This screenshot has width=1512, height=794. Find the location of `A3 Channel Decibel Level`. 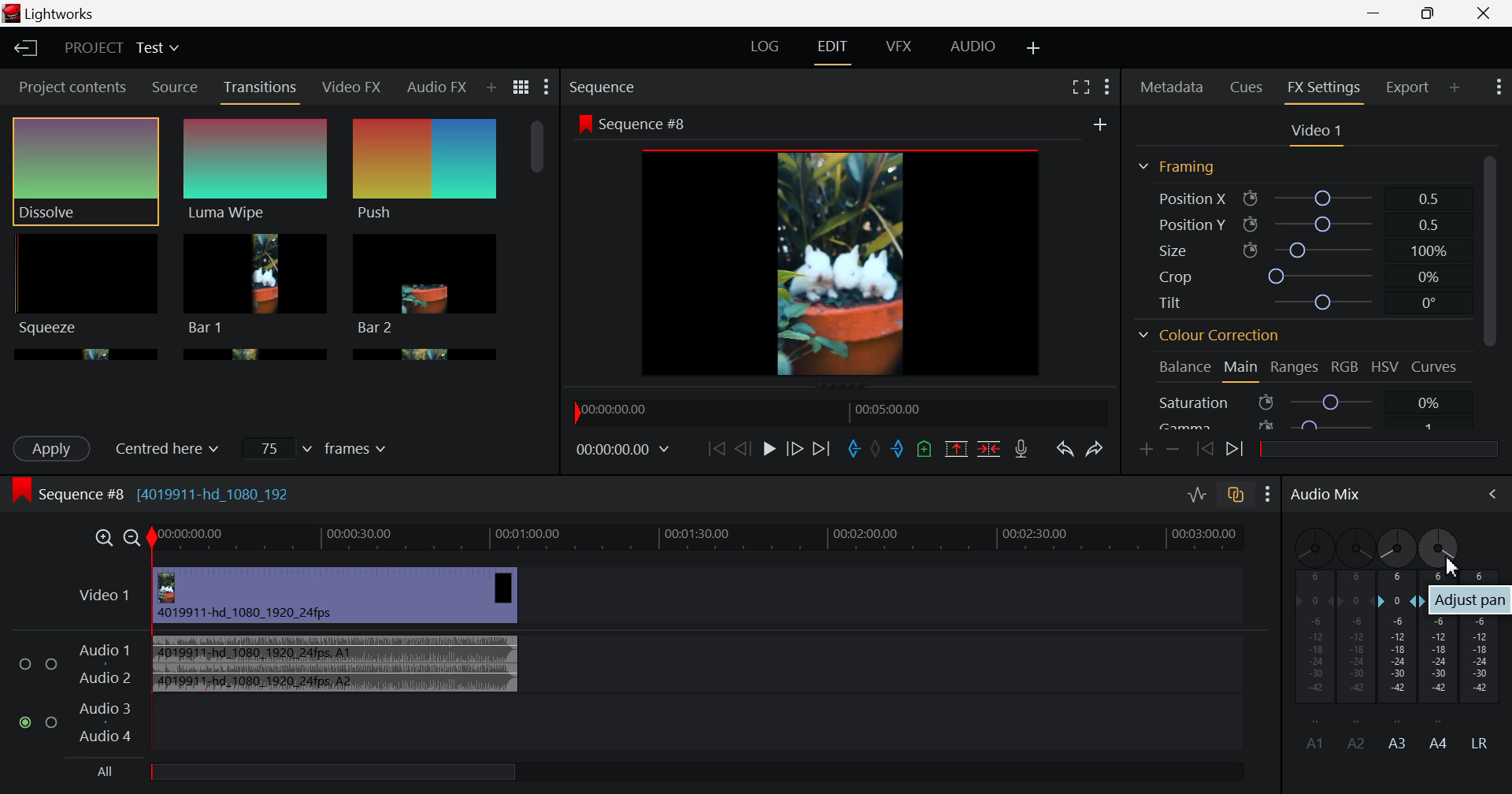

A3 Channel Decibel Level is located at coordinates (1398, 662).